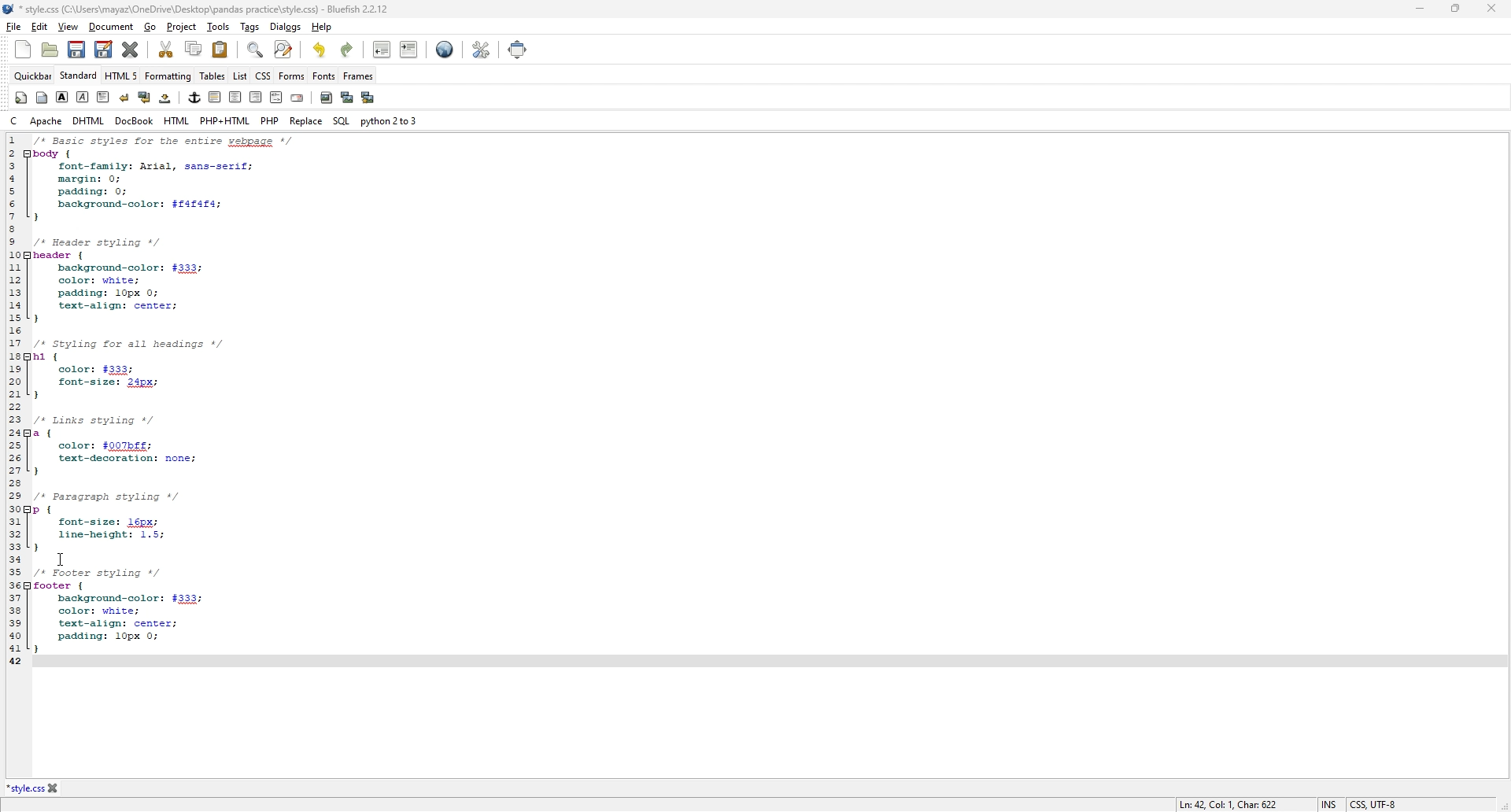 This screenshot has height=812, width=1511. What do you see at coordinates (131, 50) in the screenshot?
I see `close current tab` at bounding box center [131, 50].